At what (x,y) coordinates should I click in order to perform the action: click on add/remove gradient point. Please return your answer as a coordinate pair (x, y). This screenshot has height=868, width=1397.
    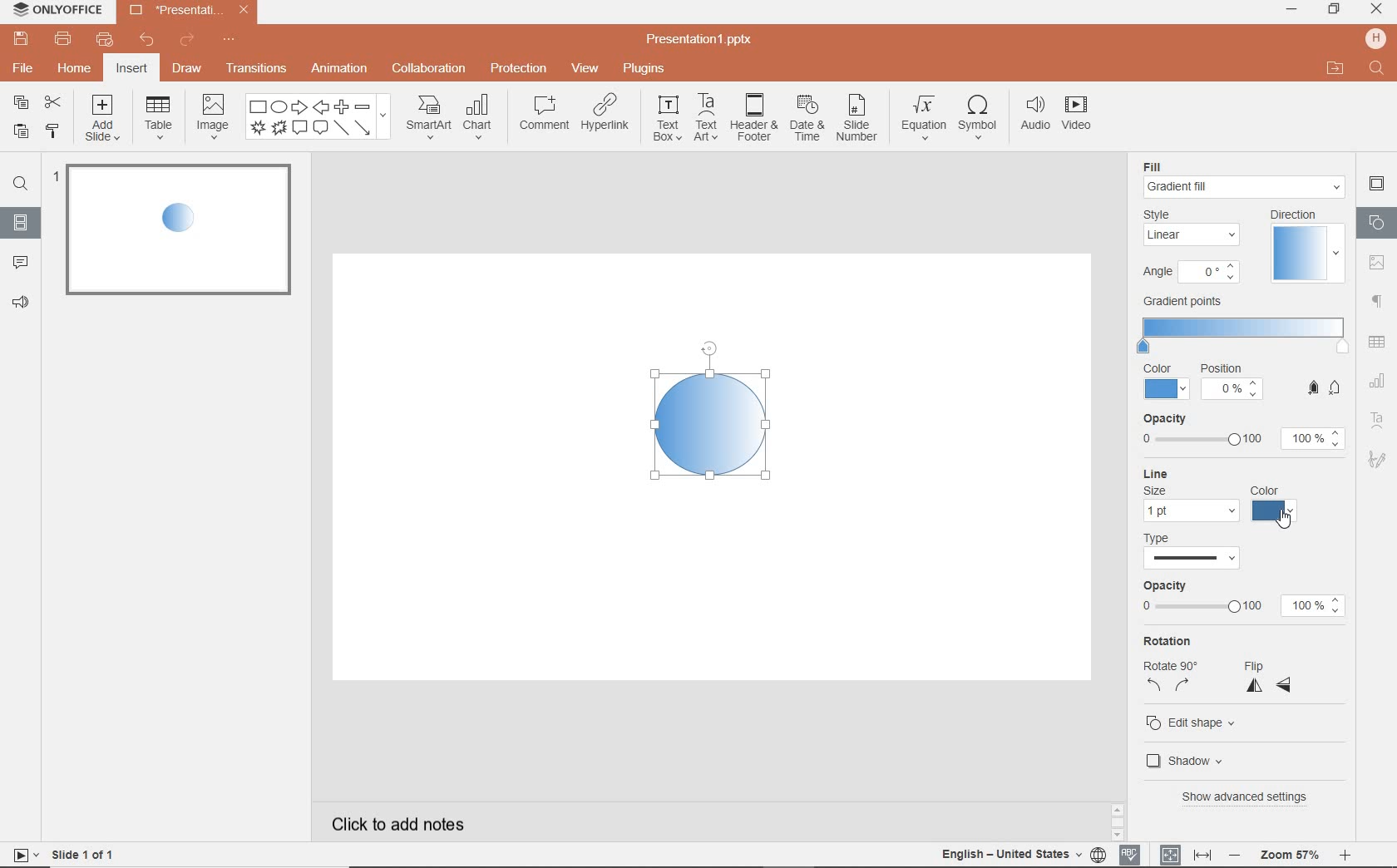
    Looking at the image, I should click on (1325, 387).